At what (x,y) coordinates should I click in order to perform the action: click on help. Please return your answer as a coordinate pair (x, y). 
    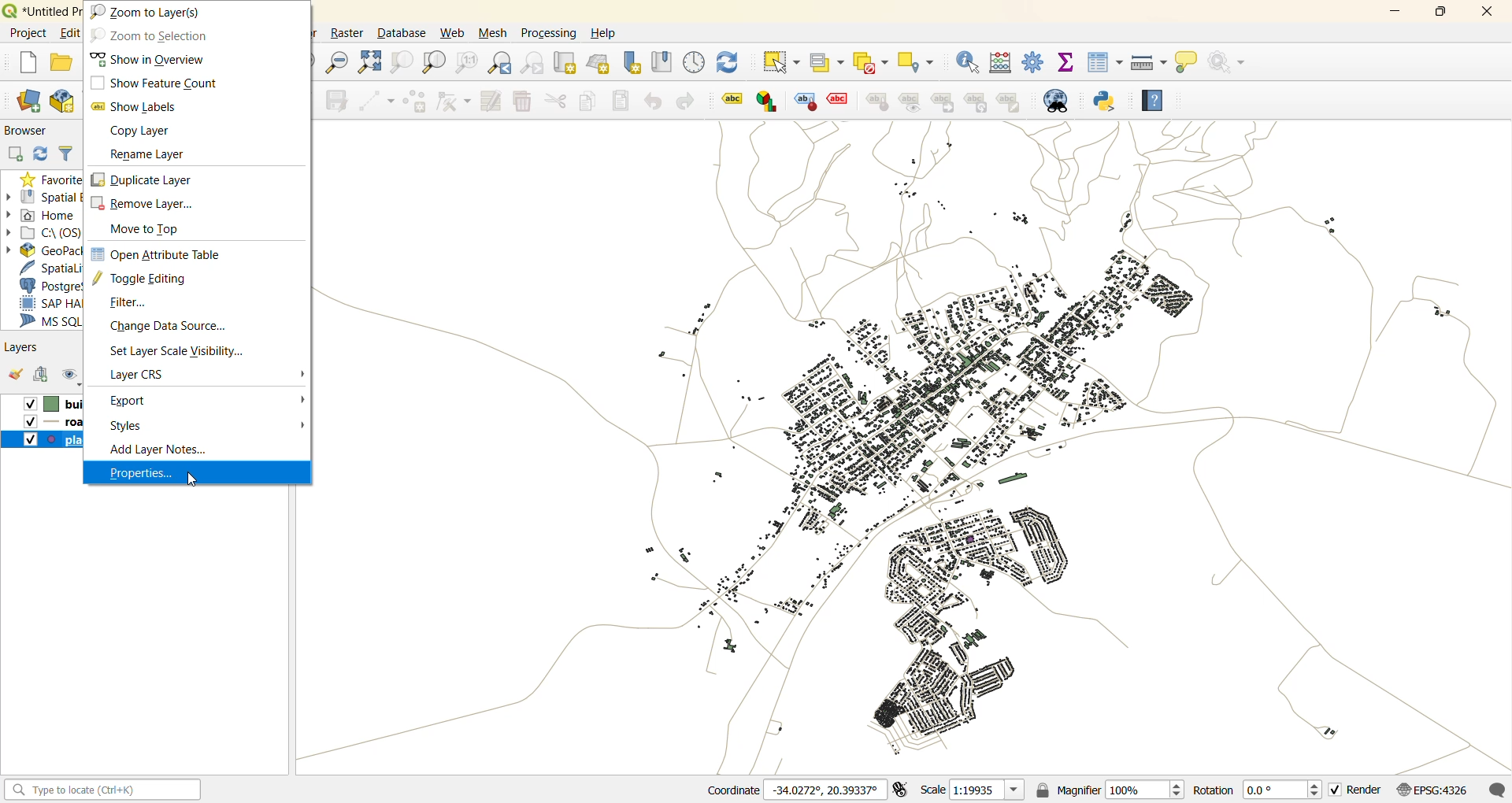
    Looking at the image, I should click on (610, 35).